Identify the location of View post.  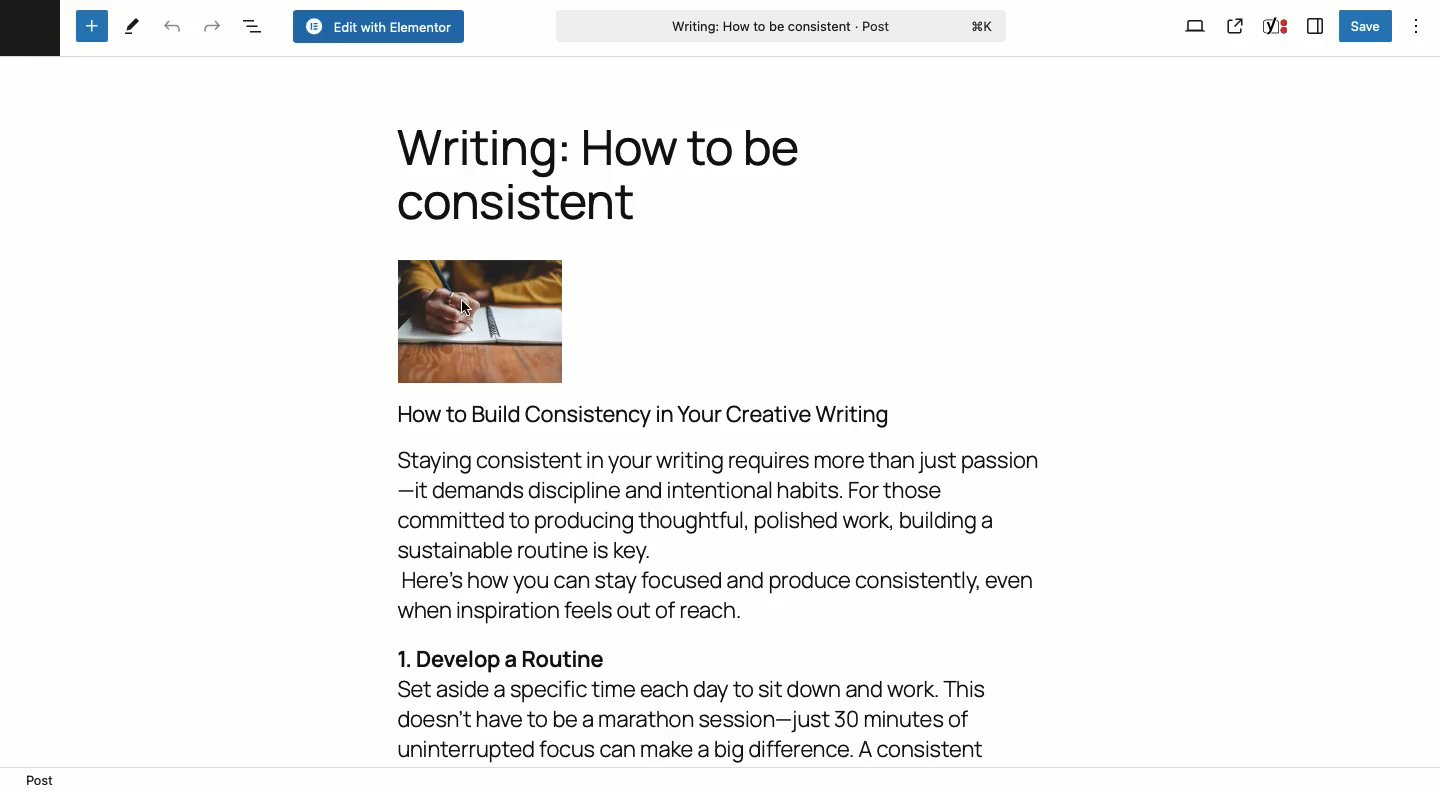
(1235, 27).